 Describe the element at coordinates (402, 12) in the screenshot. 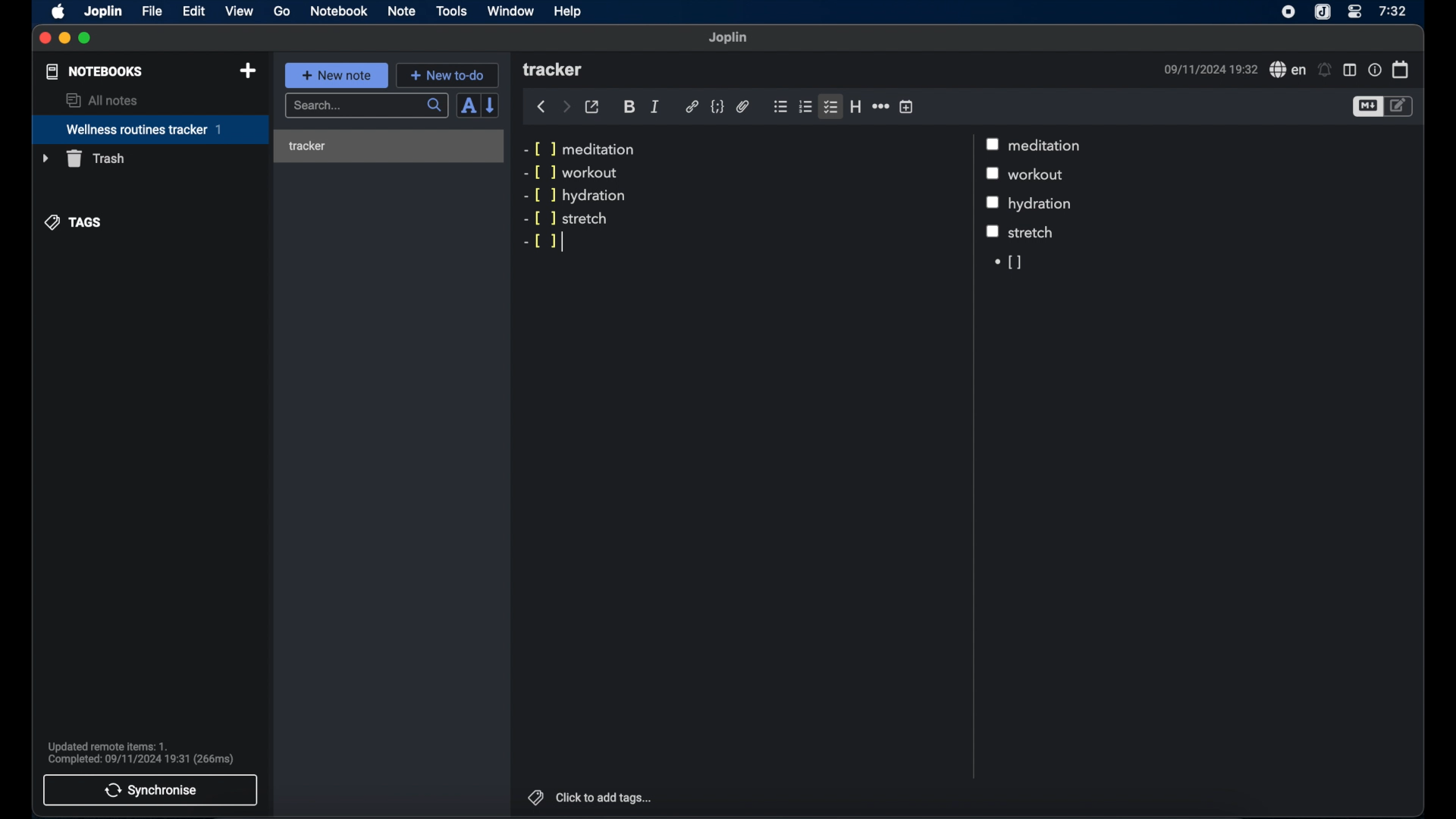

I see `note` at that location.